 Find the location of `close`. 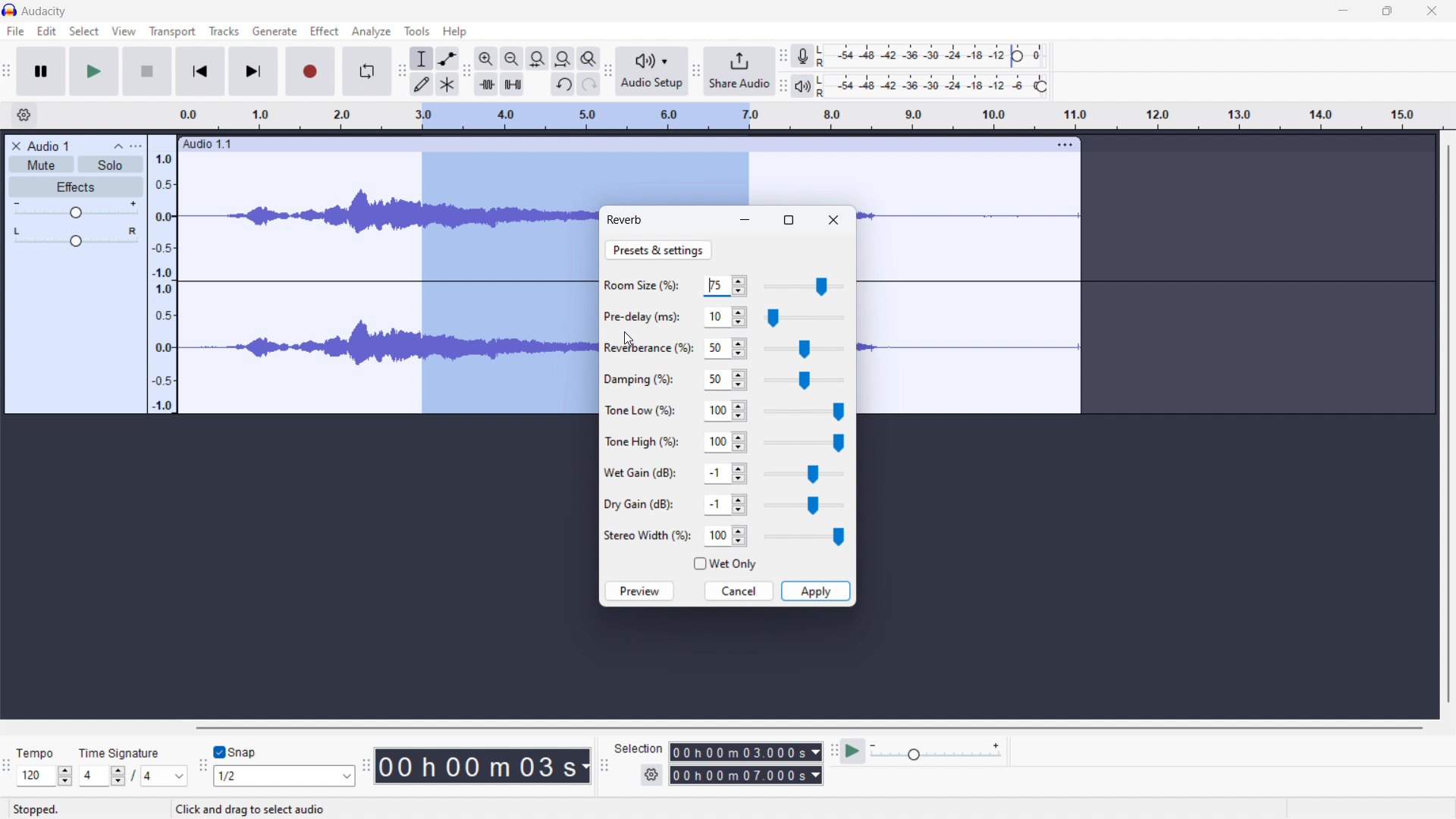

close is located at coordinates (833, 221).